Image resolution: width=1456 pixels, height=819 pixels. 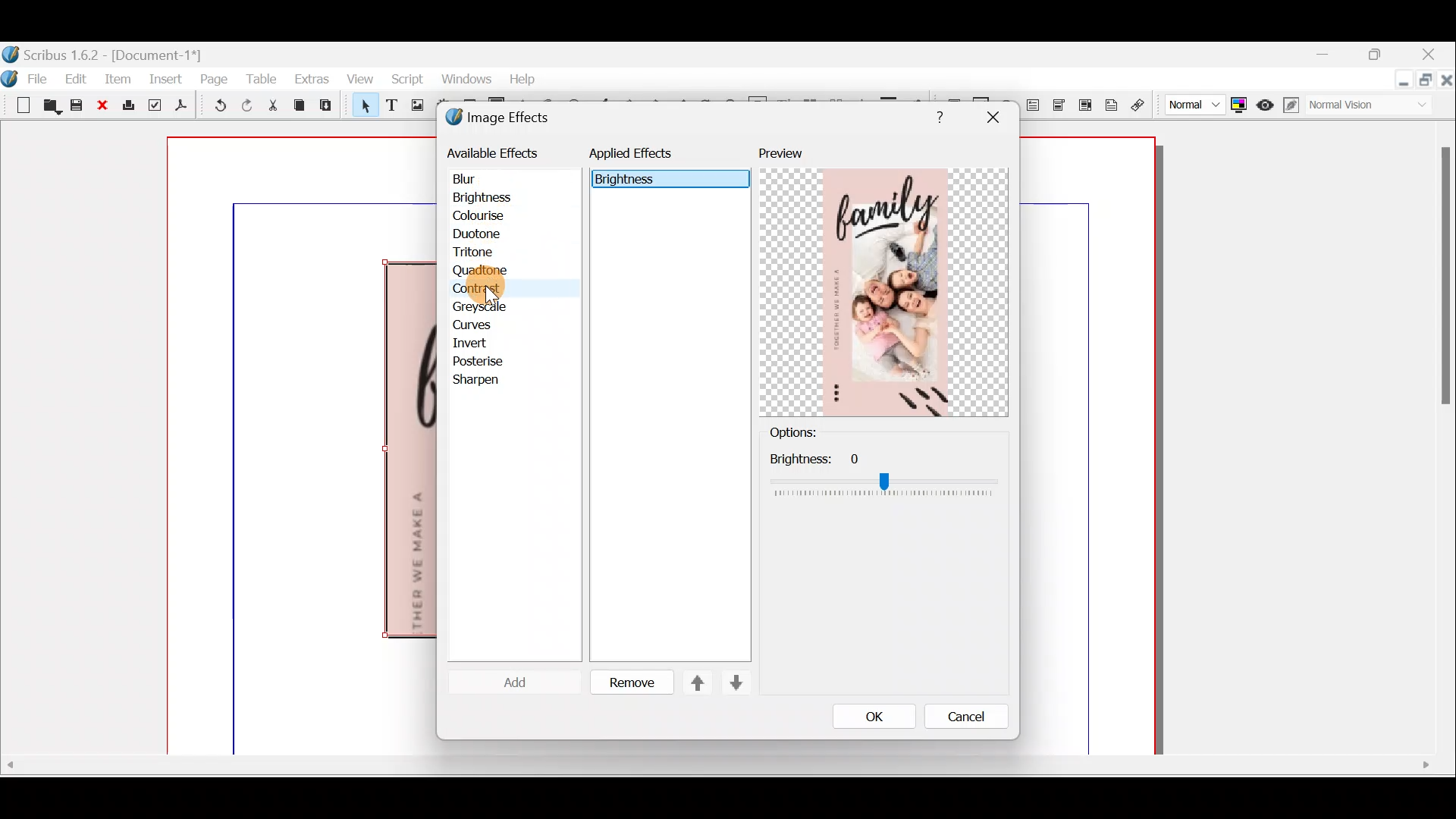 What do you see at coordinates (1111, 104) in the screenshot?
I see `Text annotation` at bounding box center [1111, 104].